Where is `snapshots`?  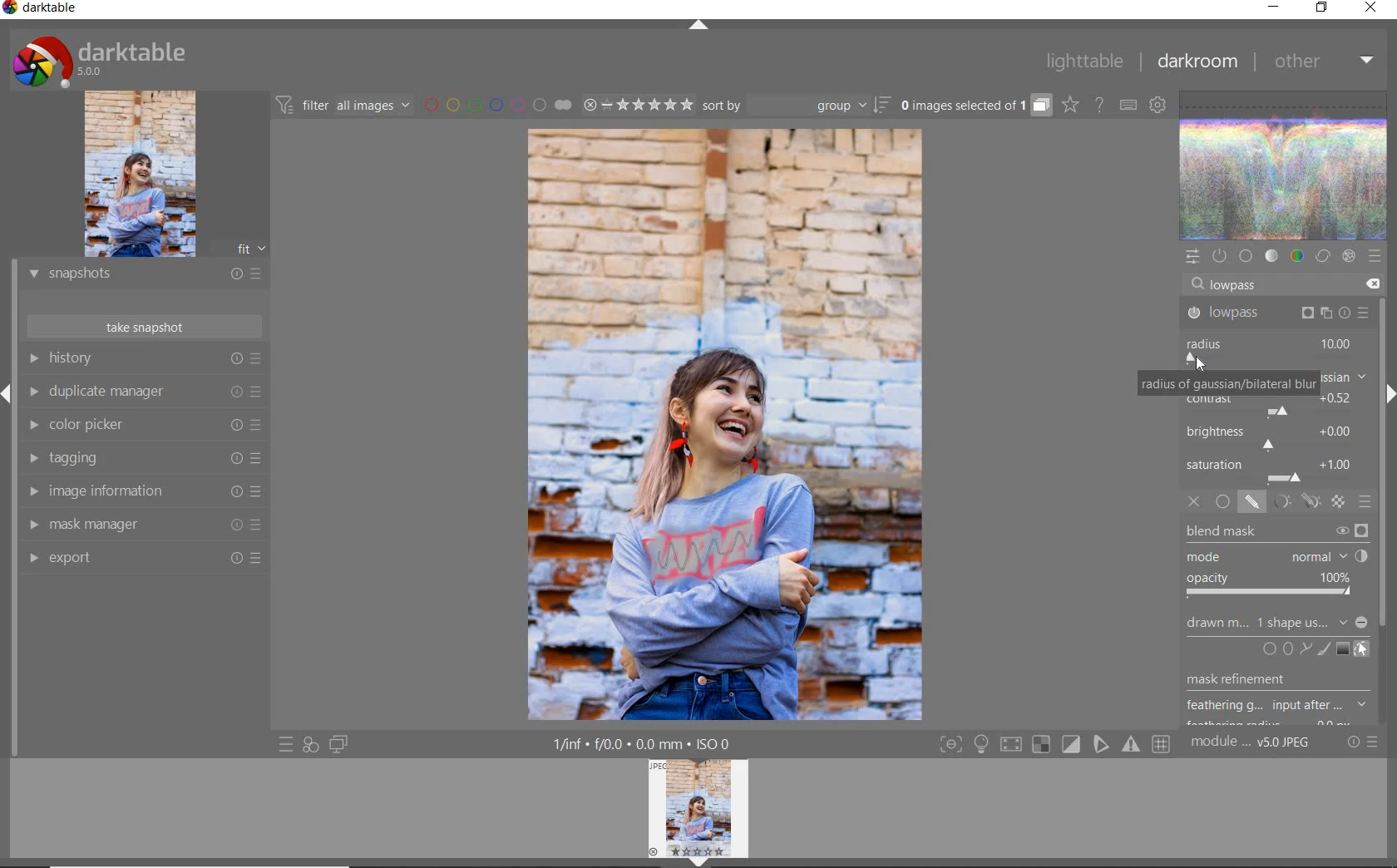 snapshots is located at coordinates (144, 277).